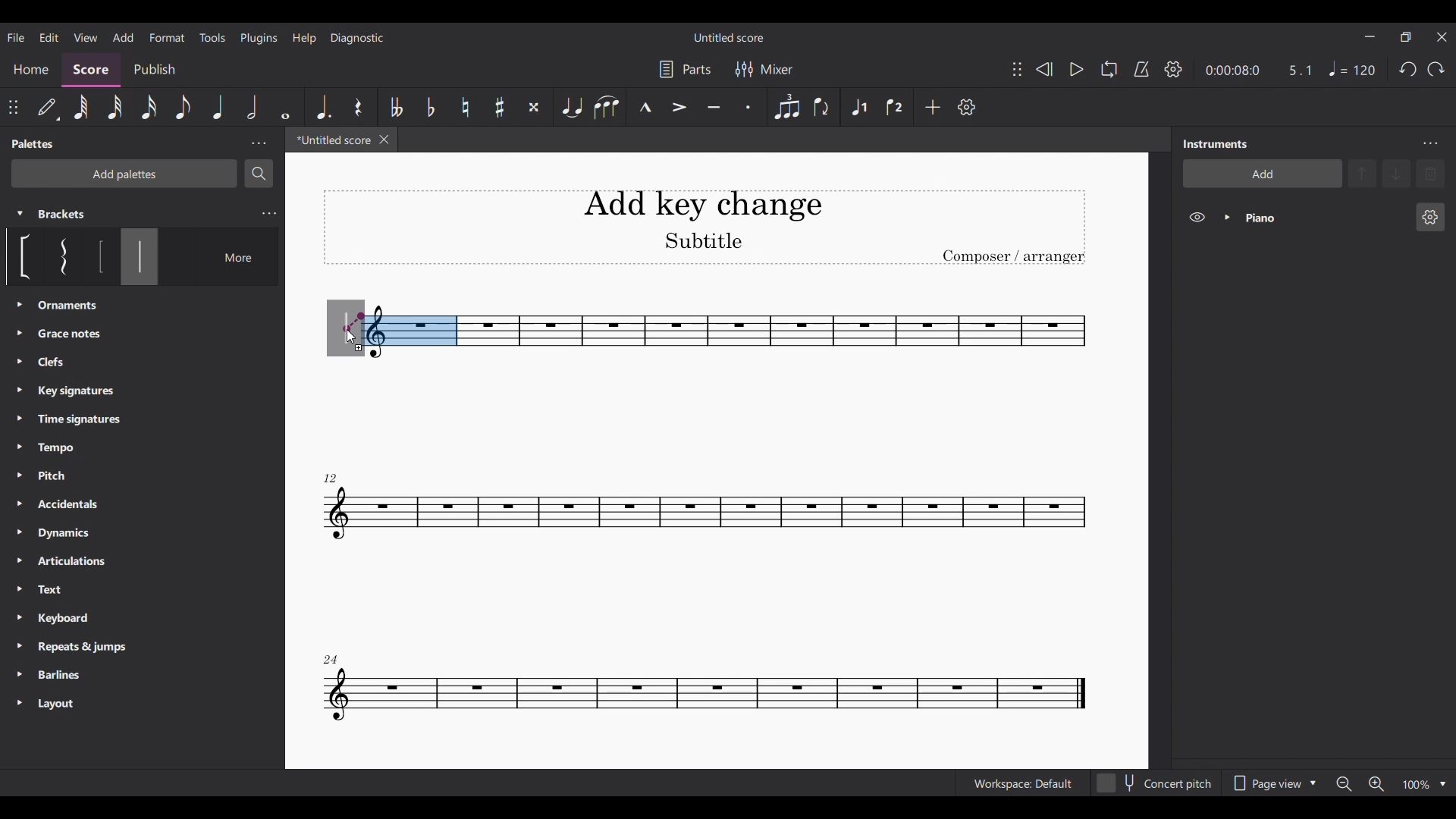 This screenshot has width=1456, height=819. I want to click on Half note, so click(252, 107).